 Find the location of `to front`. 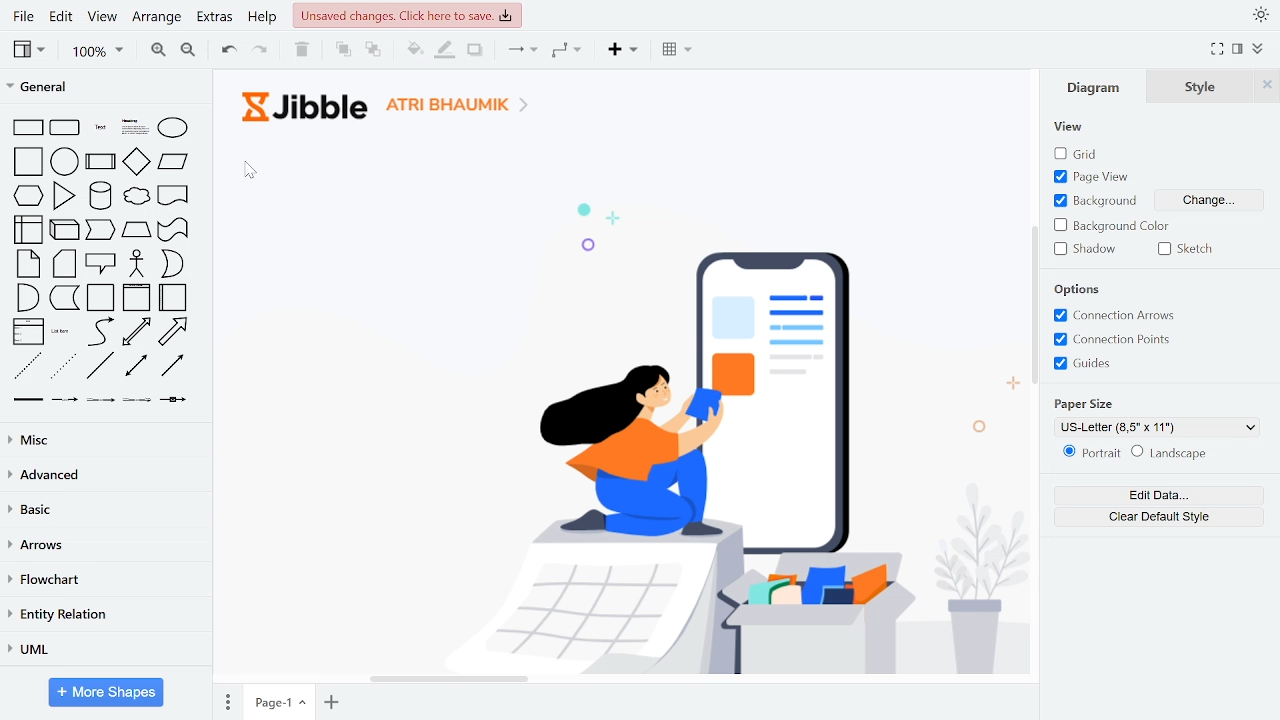

to front is located at coordinates (343, 50).